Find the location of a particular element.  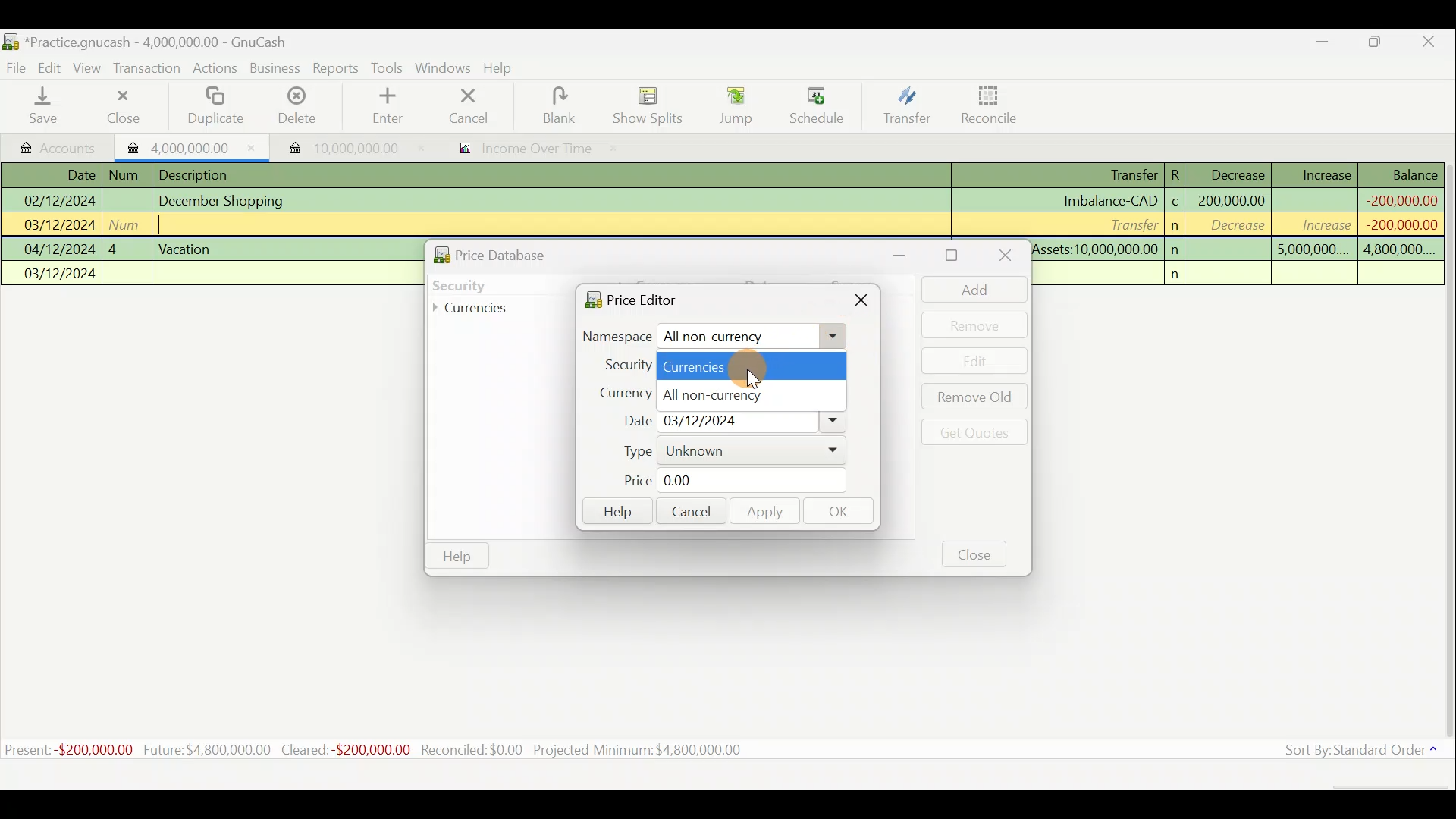

Imported transaction is located at coordinates (186, 146).